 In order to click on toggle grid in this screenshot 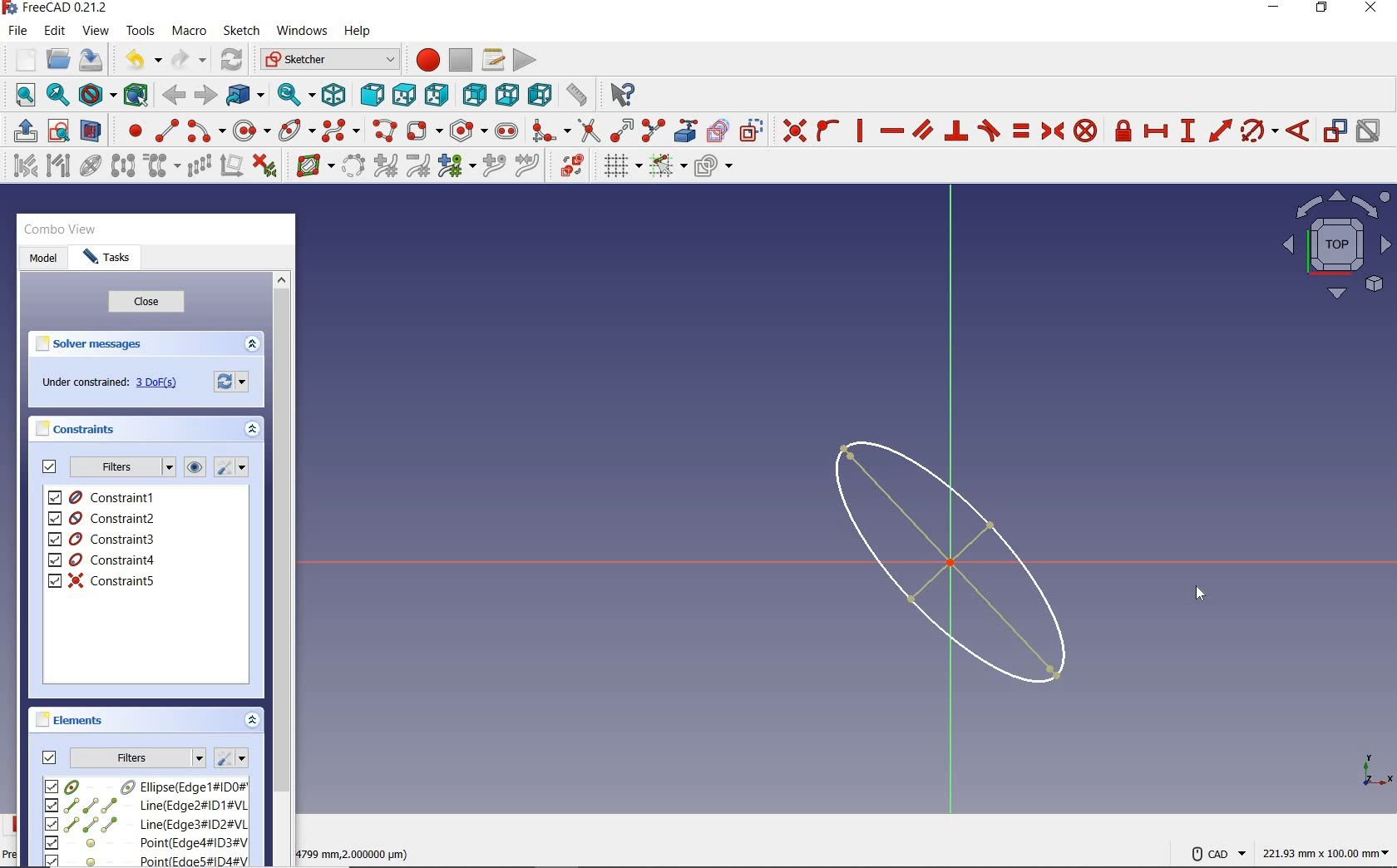, I will do `click(620, 165)`.